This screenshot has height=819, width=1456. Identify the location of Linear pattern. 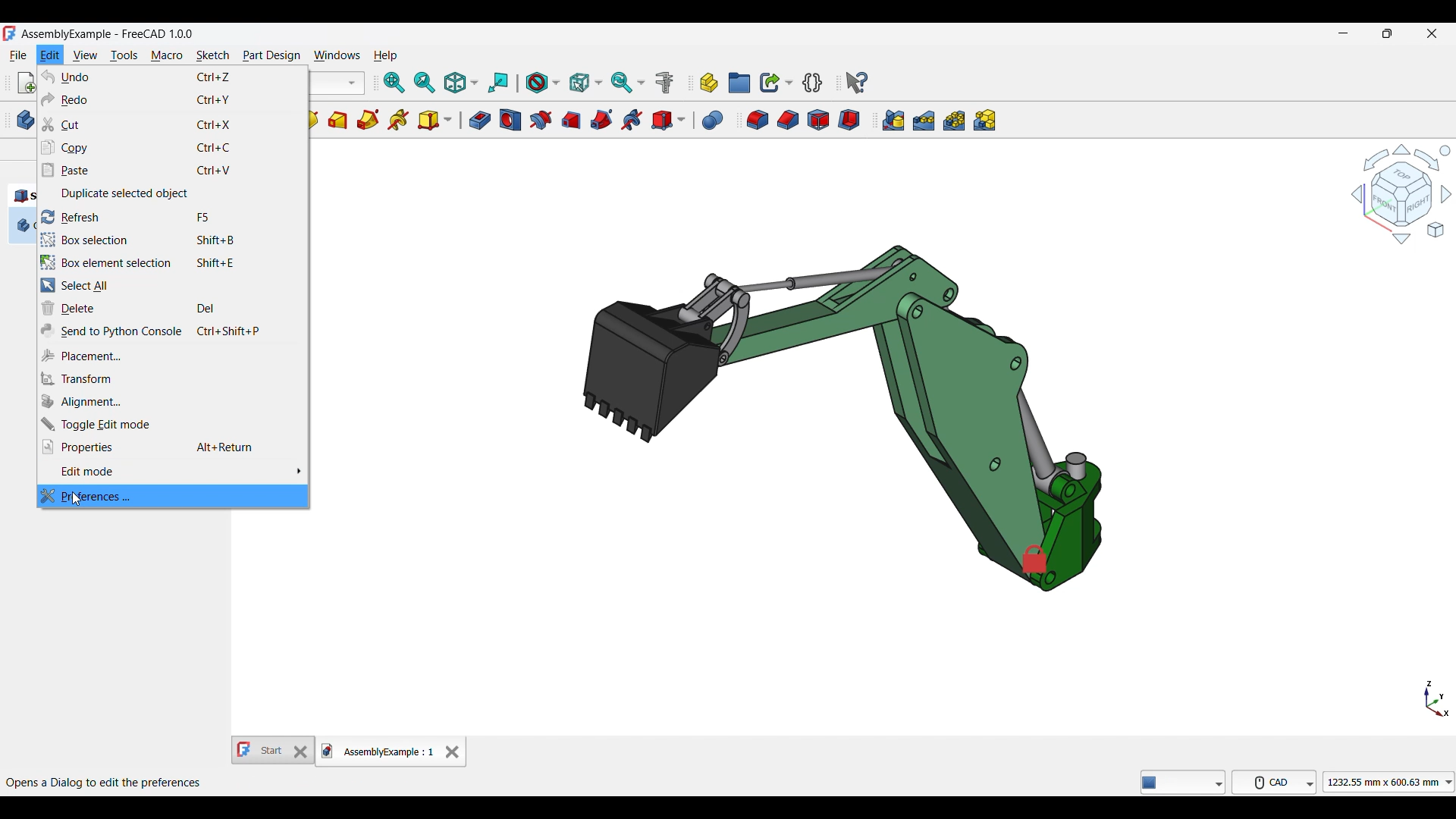
(924, 121).